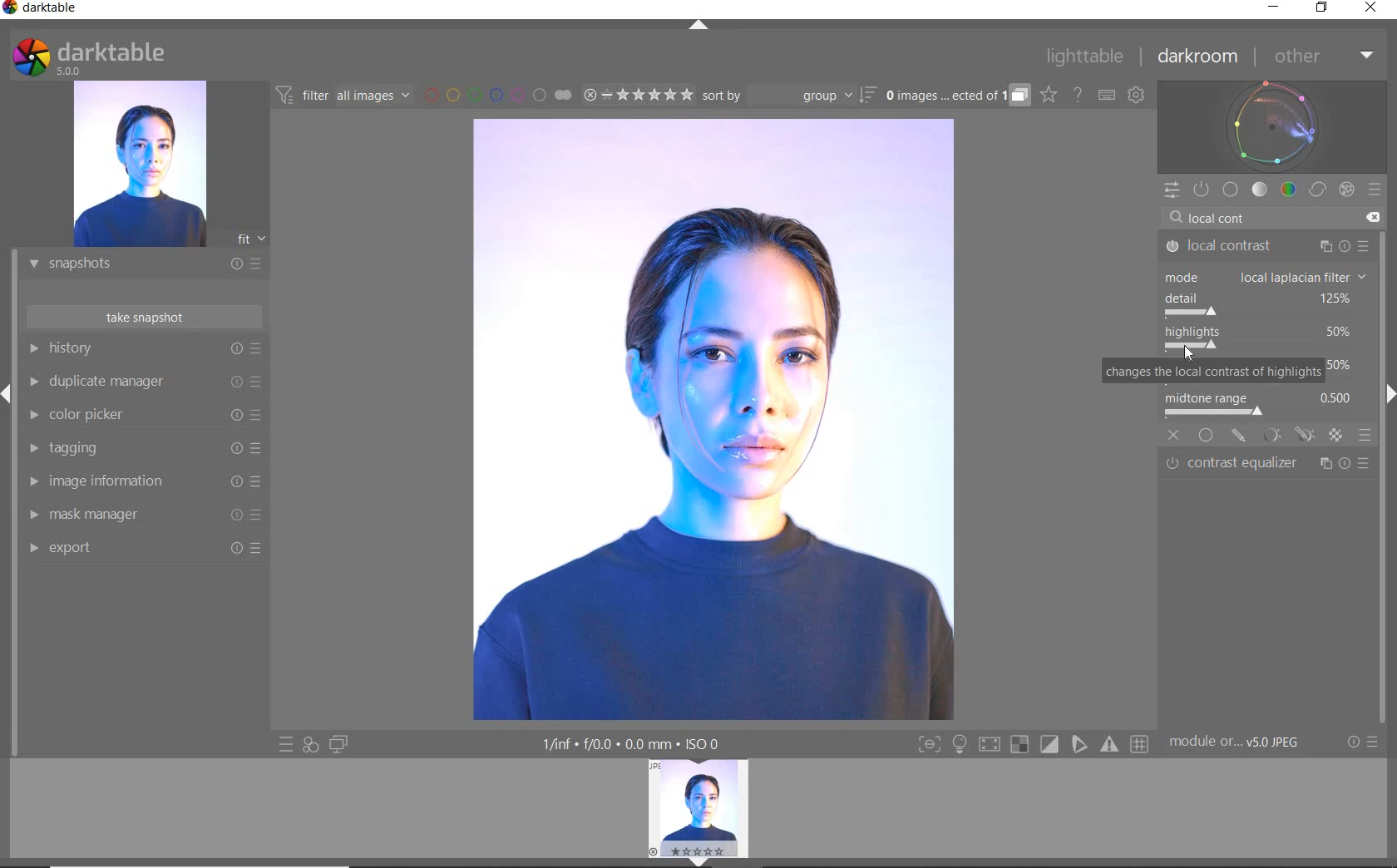 This screenshot has width=1397, height=868. What do you see at coordinates (1227, 216) in the screenshot?
I see `INPUT VALUE` at bounding box center [1227, 216].